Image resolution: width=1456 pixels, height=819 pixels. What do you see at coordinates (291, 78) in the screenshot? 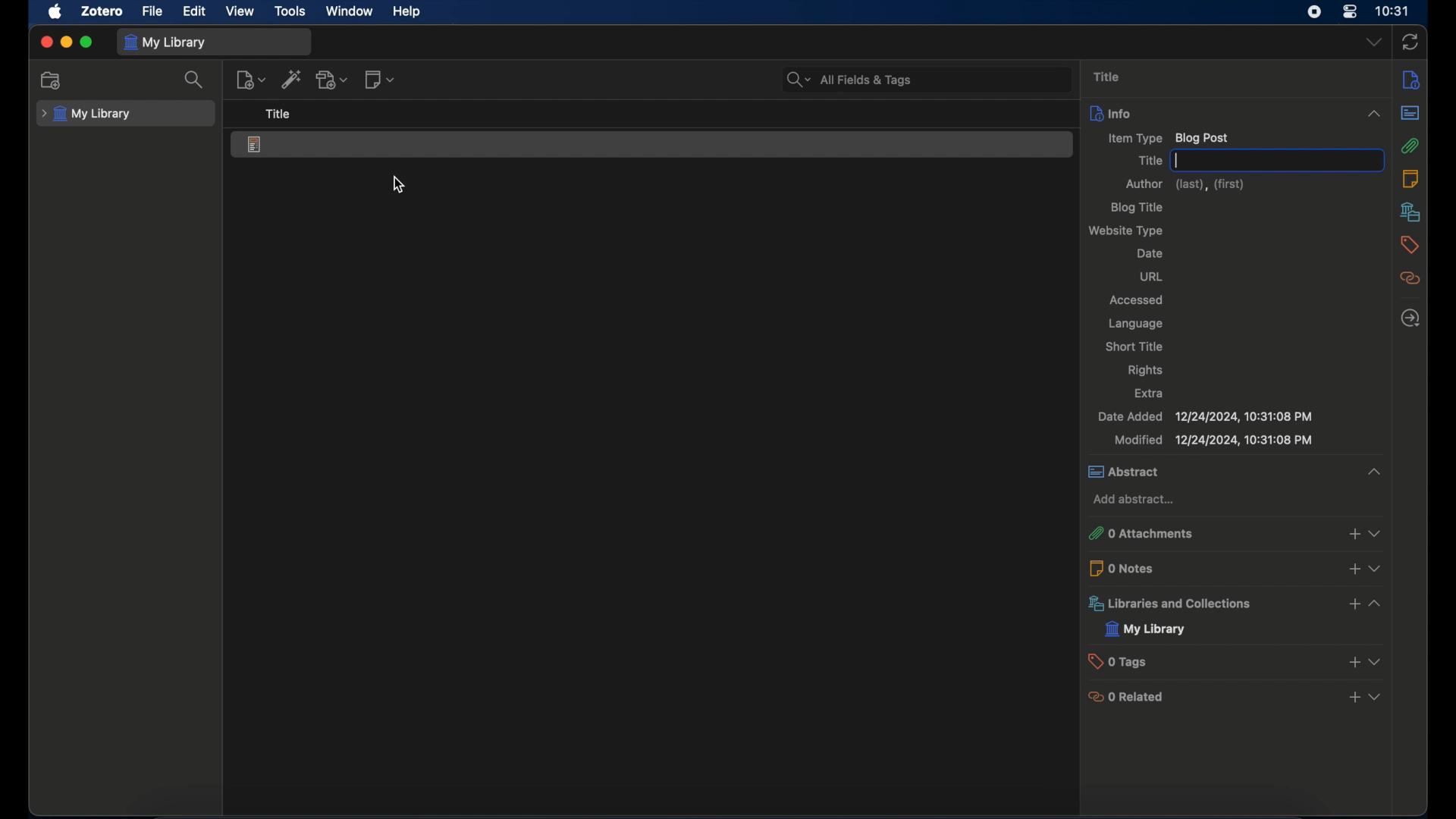
I see `add item by identifier` at bounding box center [291, 78].